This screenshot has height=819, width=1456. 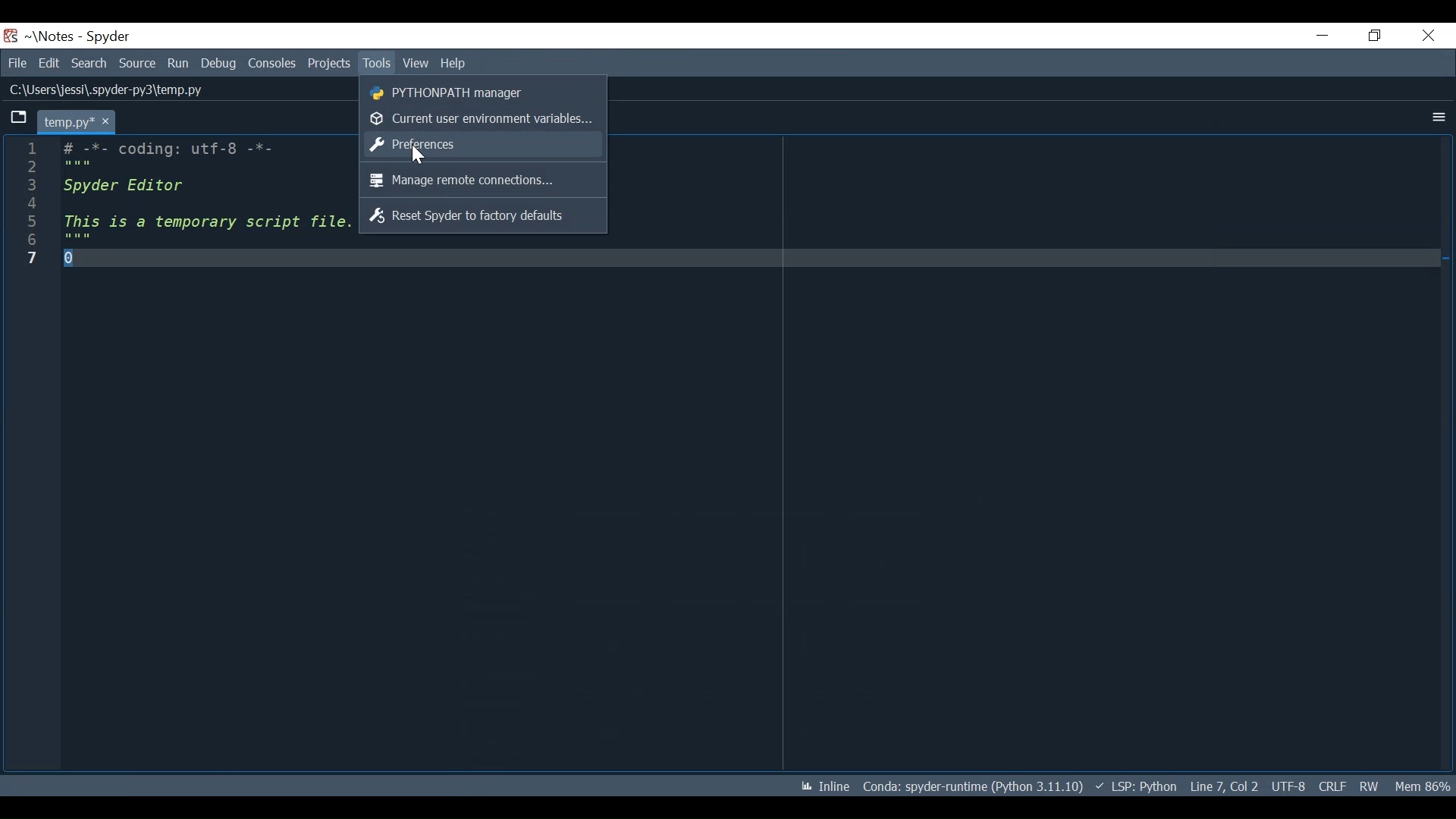 What do you see at coordinates (479, 121) in the screenshot?
I see `Current user environment variables` at bounding box center [479, 121].